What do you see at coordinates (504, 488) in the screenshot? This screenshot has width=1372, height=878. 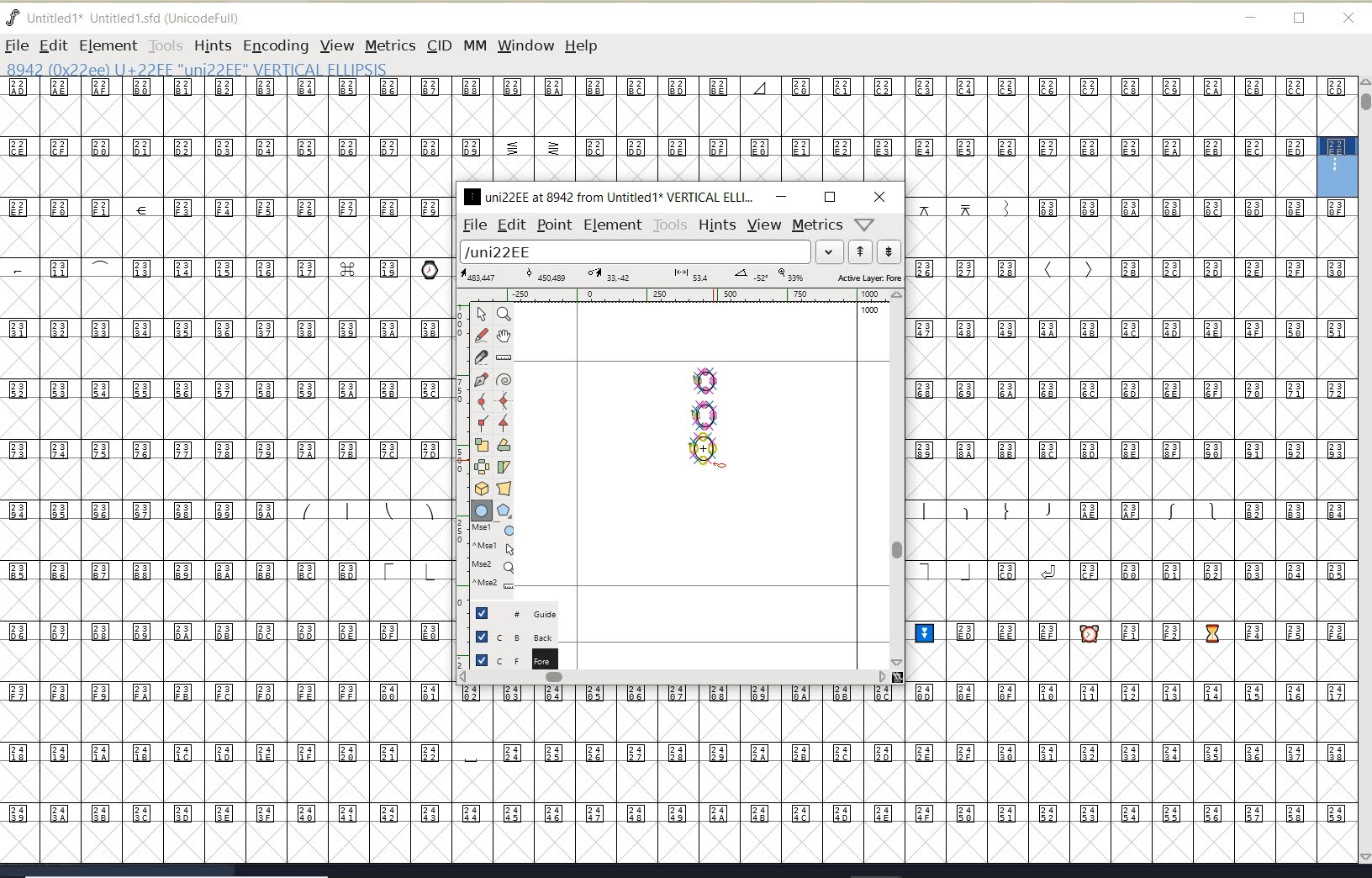 I see `perform a perspective transformation on the selection` at bounding box center [504, 488].